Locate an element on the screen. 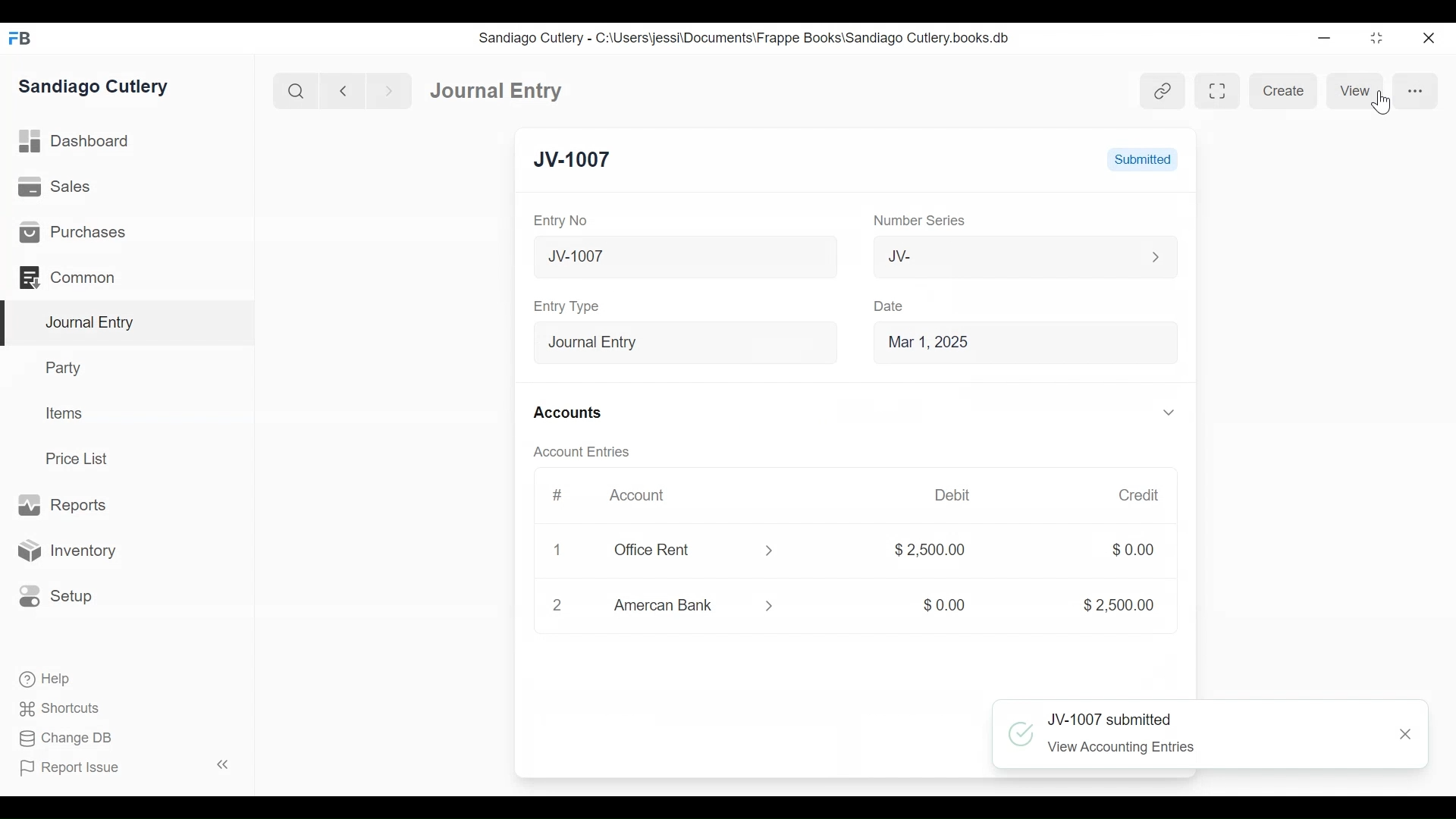 This screenshot has width=1456, height=819. Entry Type is located at coordinates (566, 306).